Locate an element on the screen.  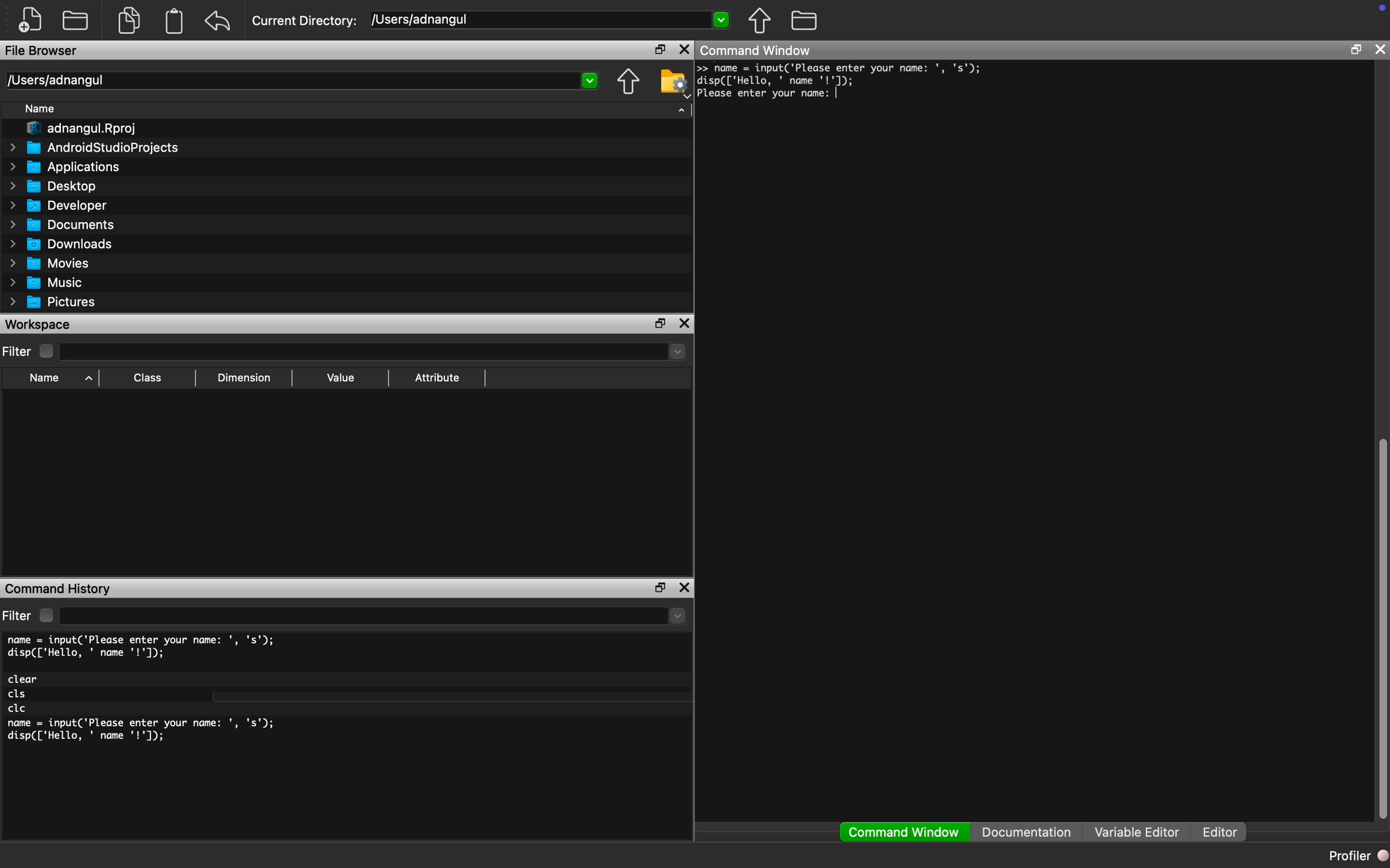
Workplace is located at coordinates (40, 324).